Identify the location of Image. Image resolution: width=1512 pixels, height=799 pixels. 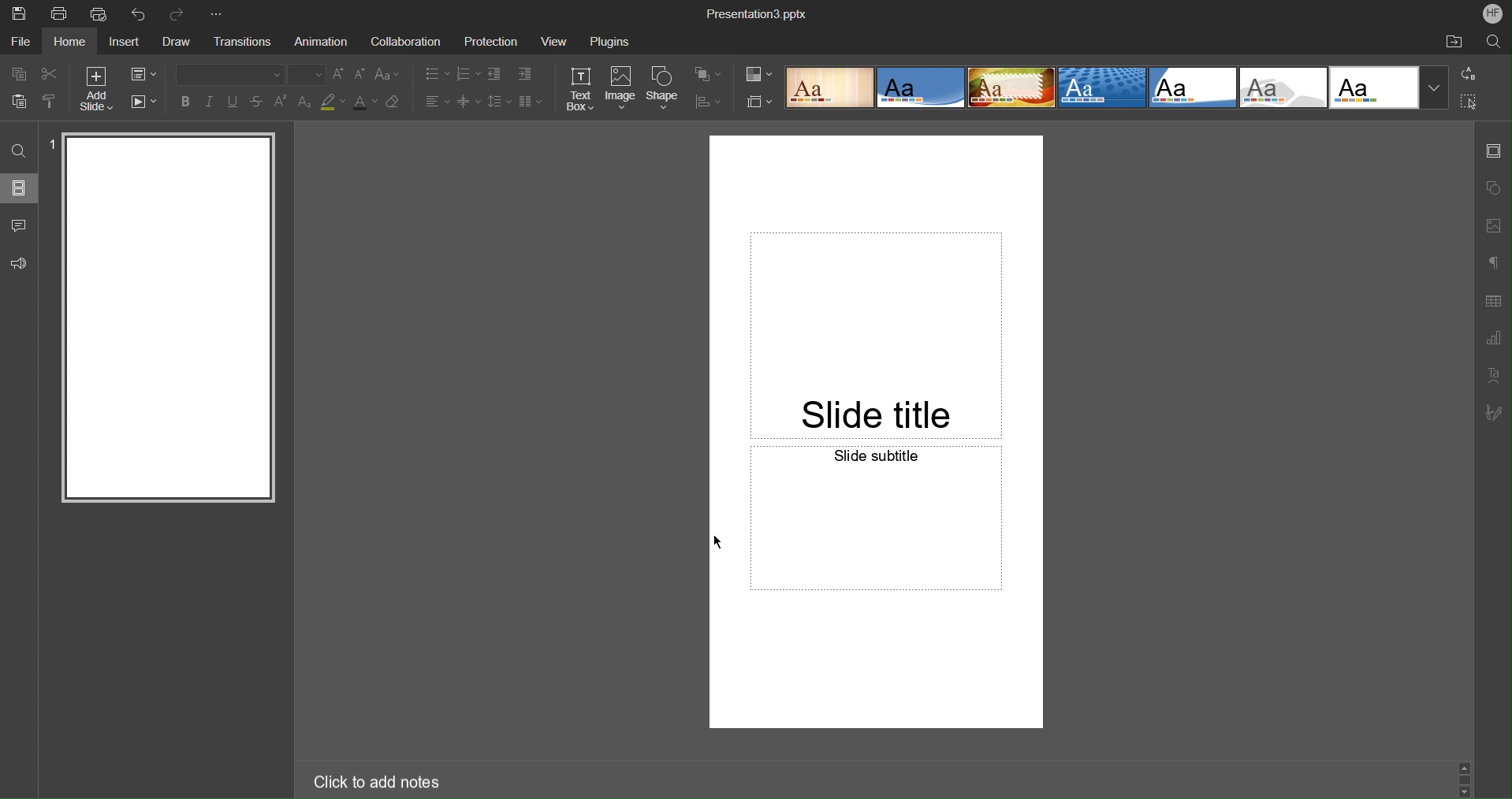
(621, 89).